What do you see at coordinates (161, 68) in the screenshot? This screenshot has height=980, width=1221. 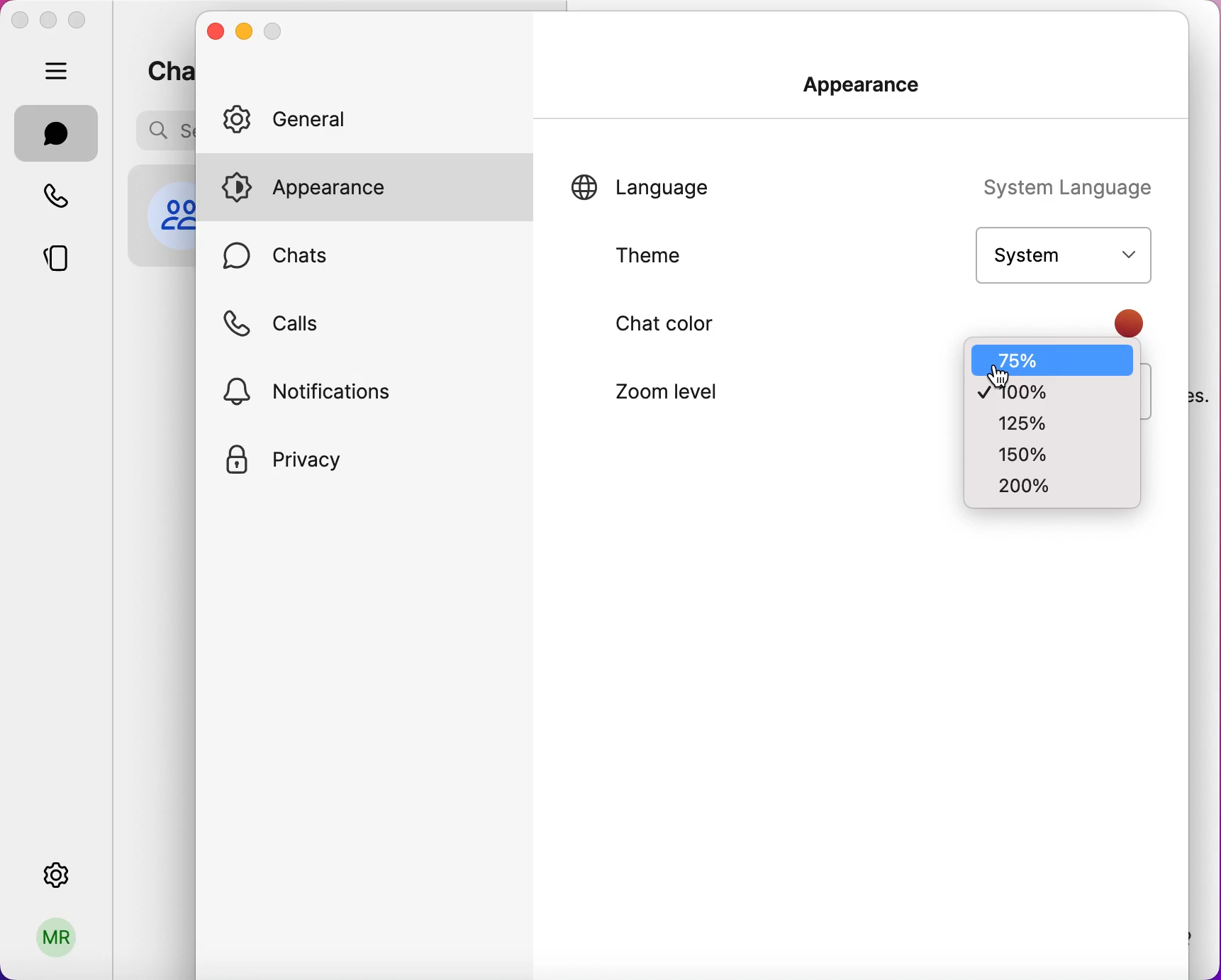 I see `chats` at bounding box center [161, 68].